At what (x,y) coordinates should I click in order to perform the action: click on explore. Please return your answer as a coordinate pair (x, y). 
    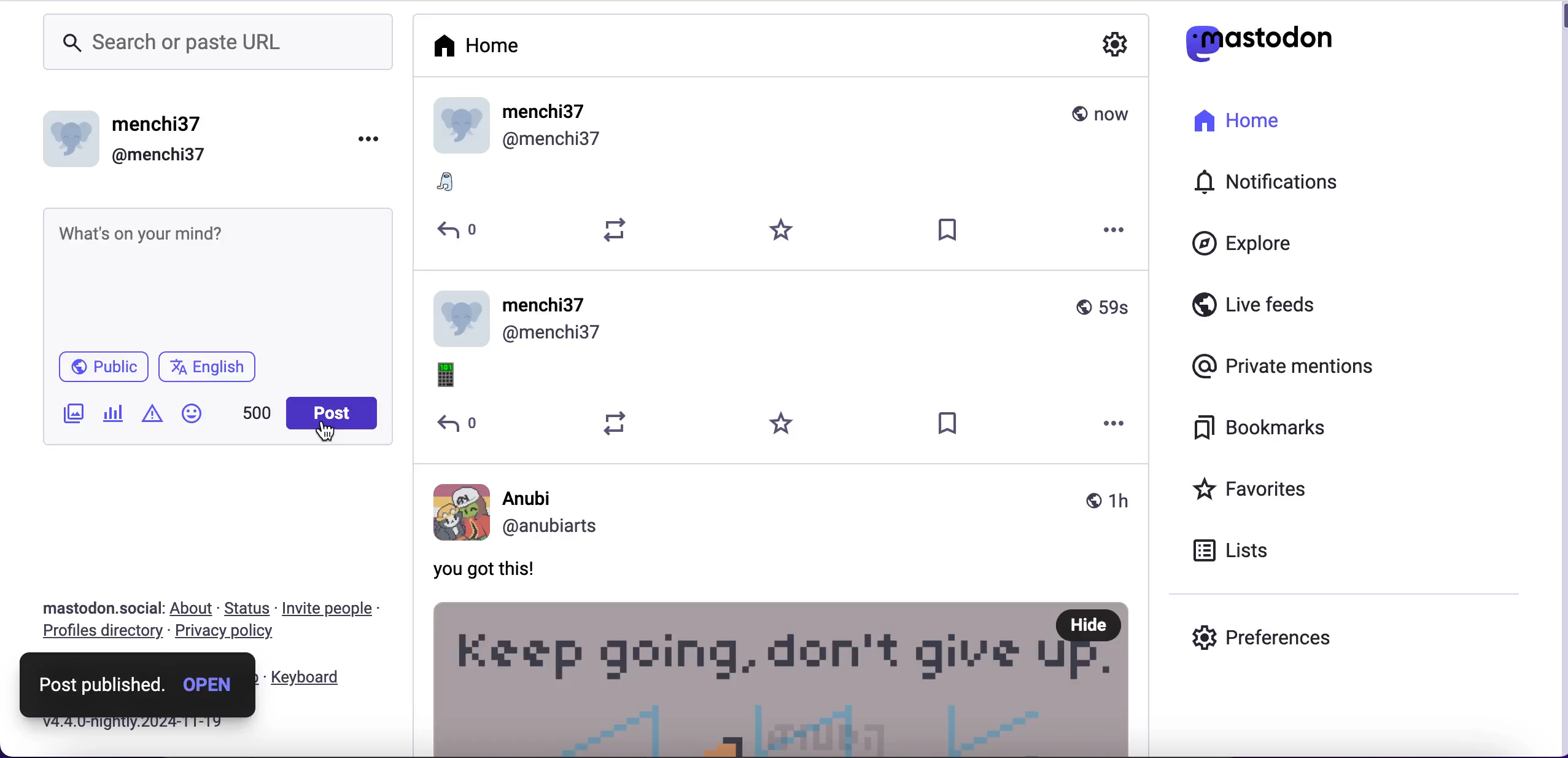
    Looking at the image, I should click on (1262, 245).